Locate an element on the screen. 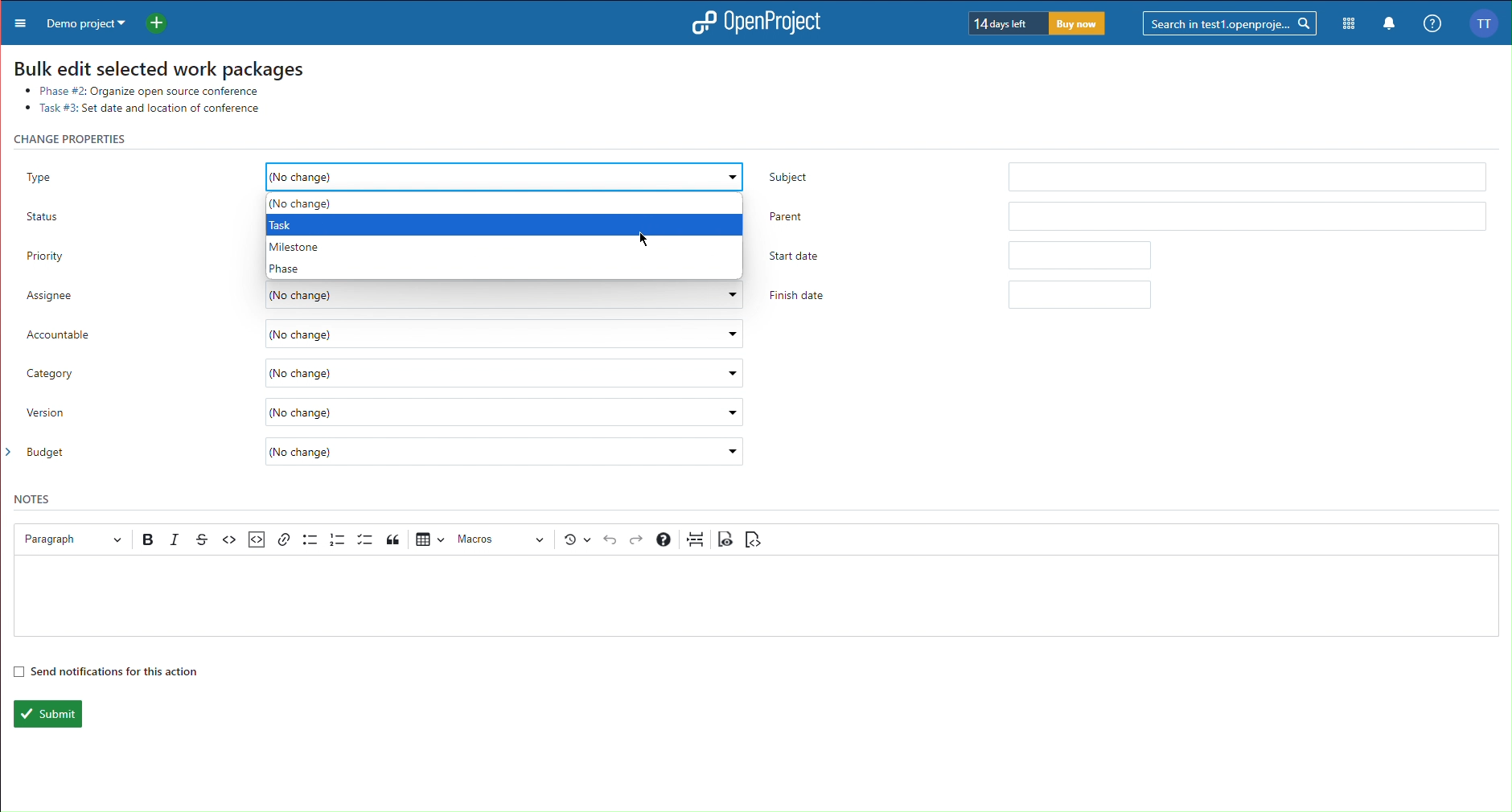  Change password is located at coordinates (78, 138).